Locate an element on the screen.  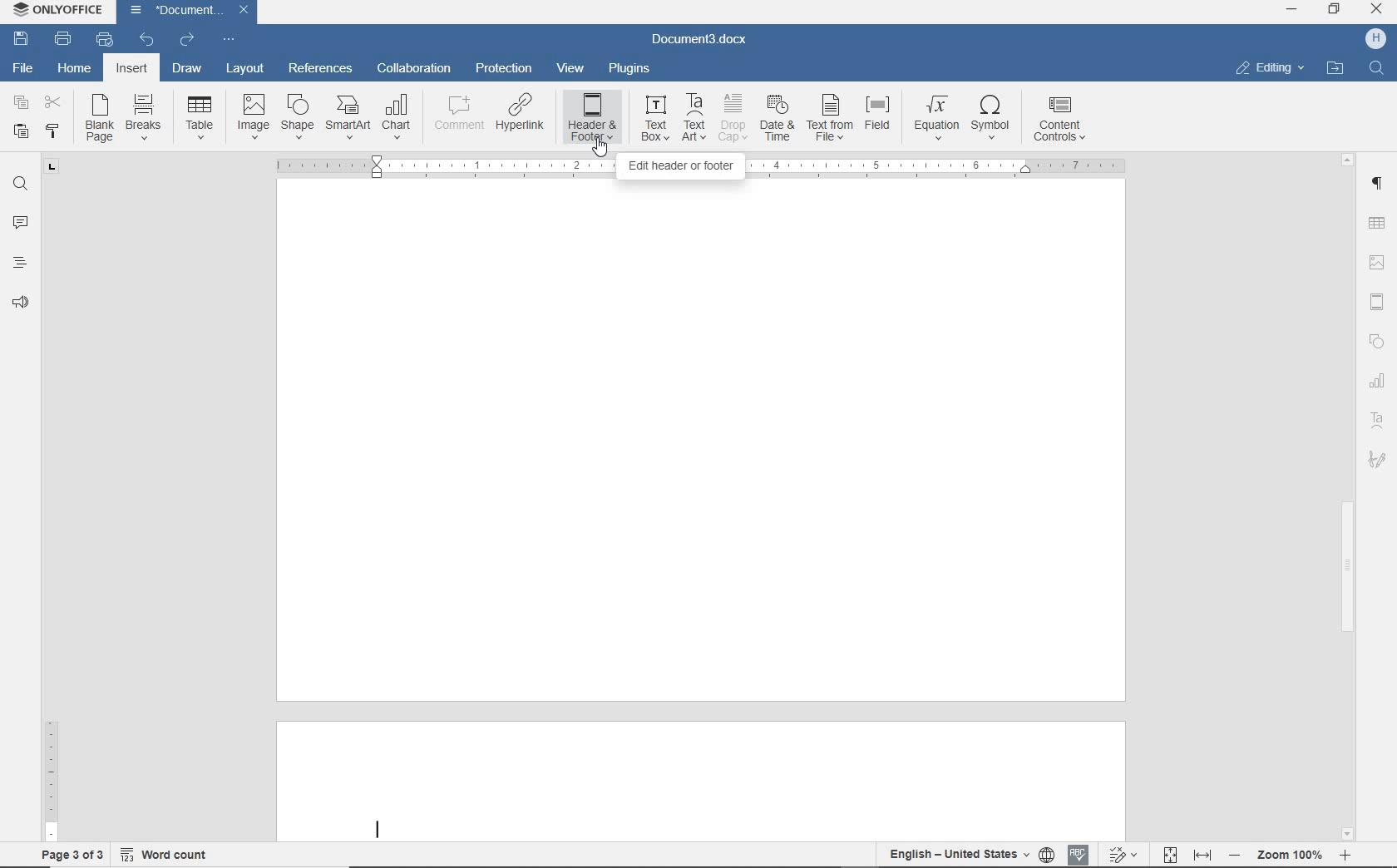
DROP CAP is located at coordinates (734, 118).